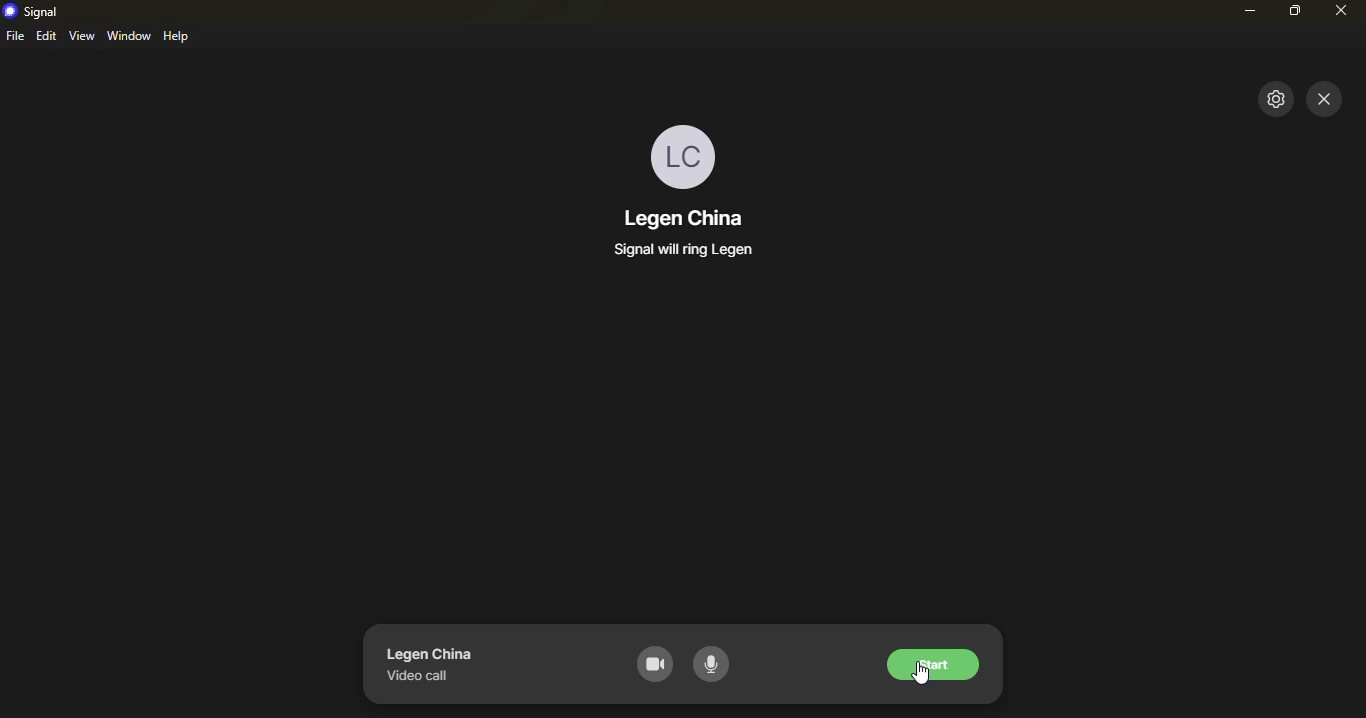 The width and height of the screenshot is (1366, 718). What do you see at coordinates (654, 664) in the screenshot?
I see `video` at bounding box center [654, 664].